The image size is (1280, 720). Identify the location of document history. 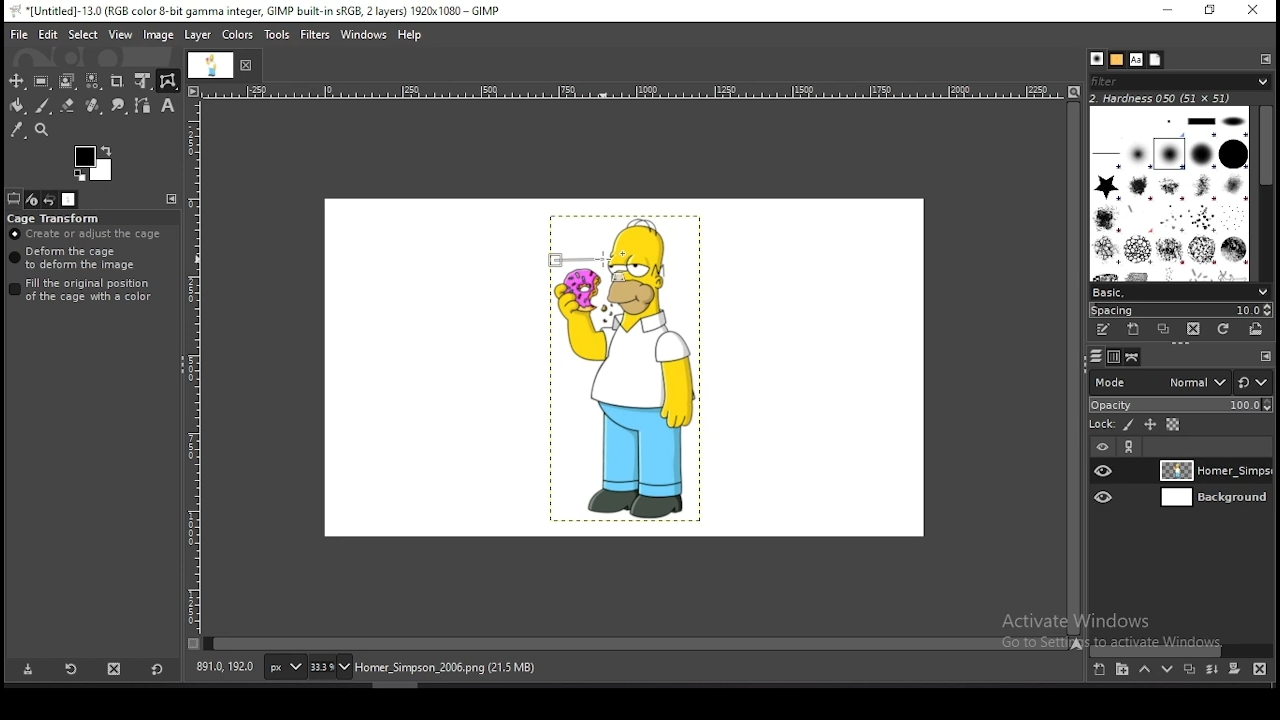
(1155, 60).